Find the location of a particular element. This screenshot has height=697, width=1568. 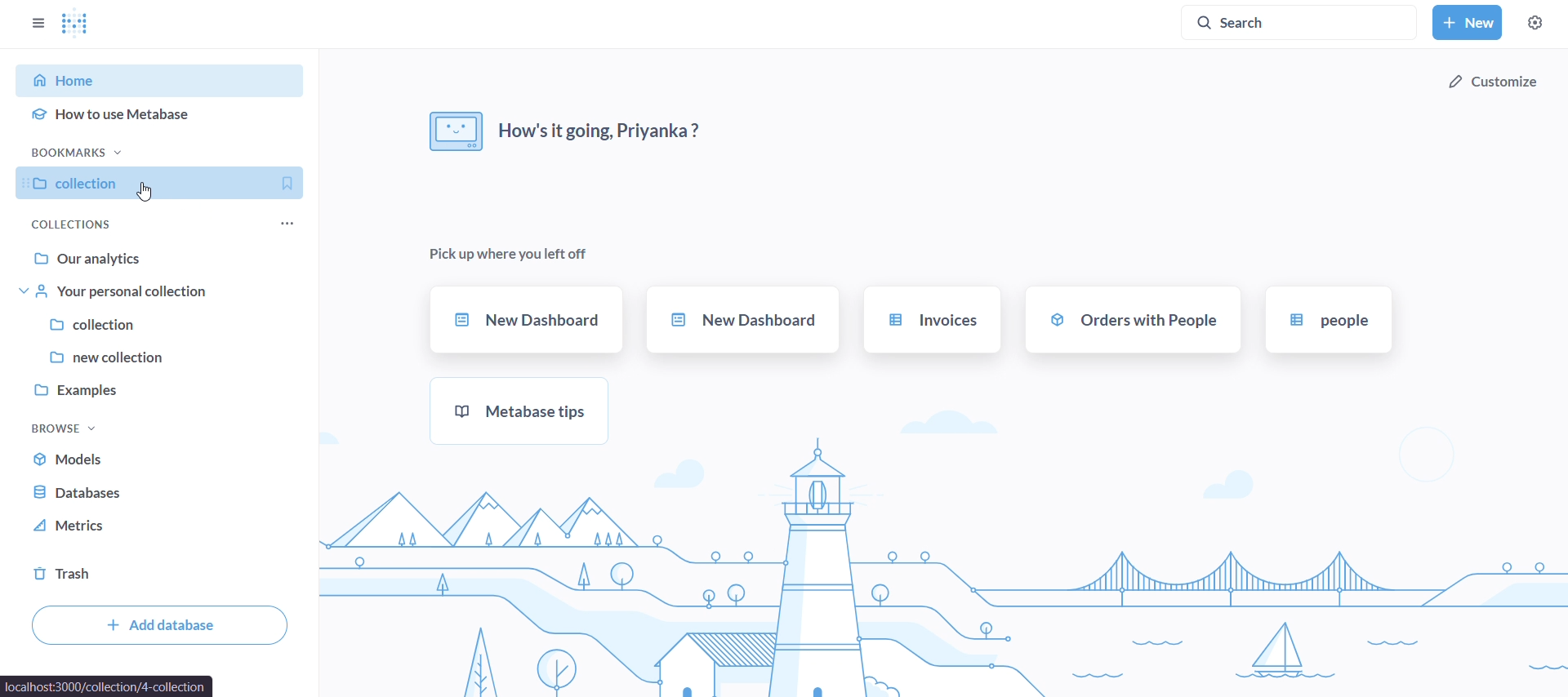

metabase tips is located at coordinates (517, 412).